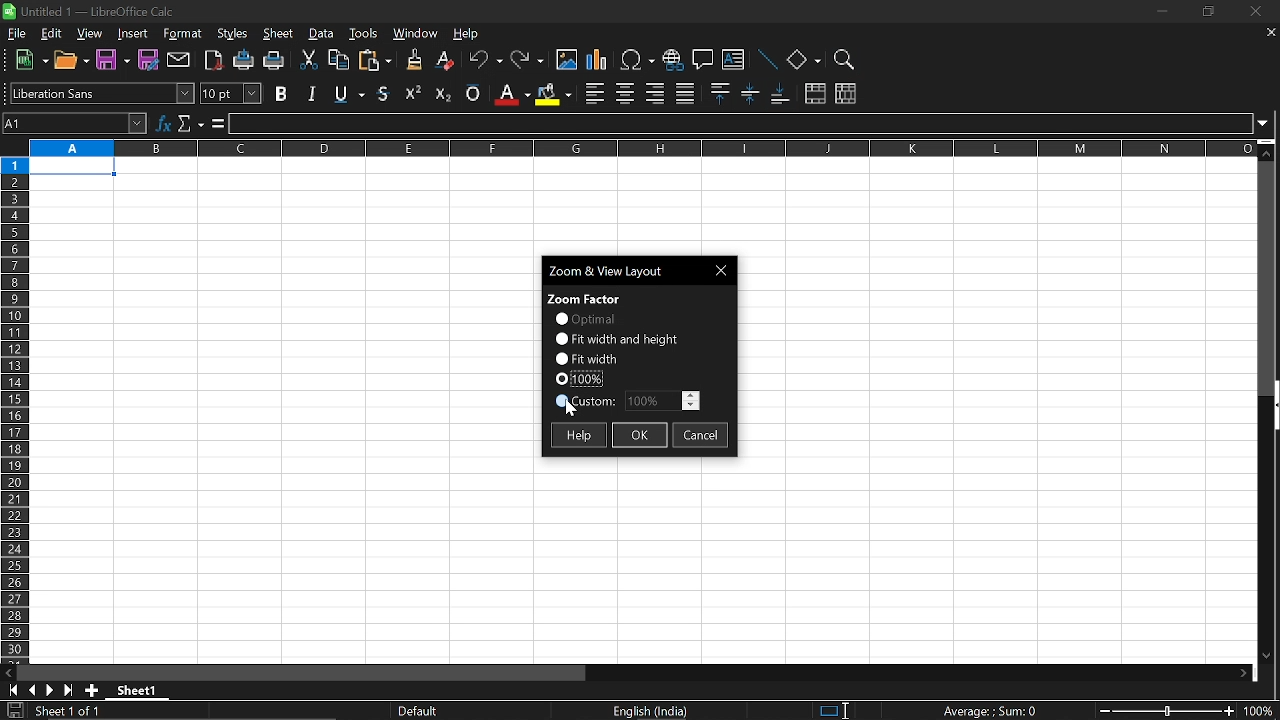 The image size is (1280, 720). Describe the element at coordinates (672, 62) in the screenshot. I see `insert hyperlink` at that location.